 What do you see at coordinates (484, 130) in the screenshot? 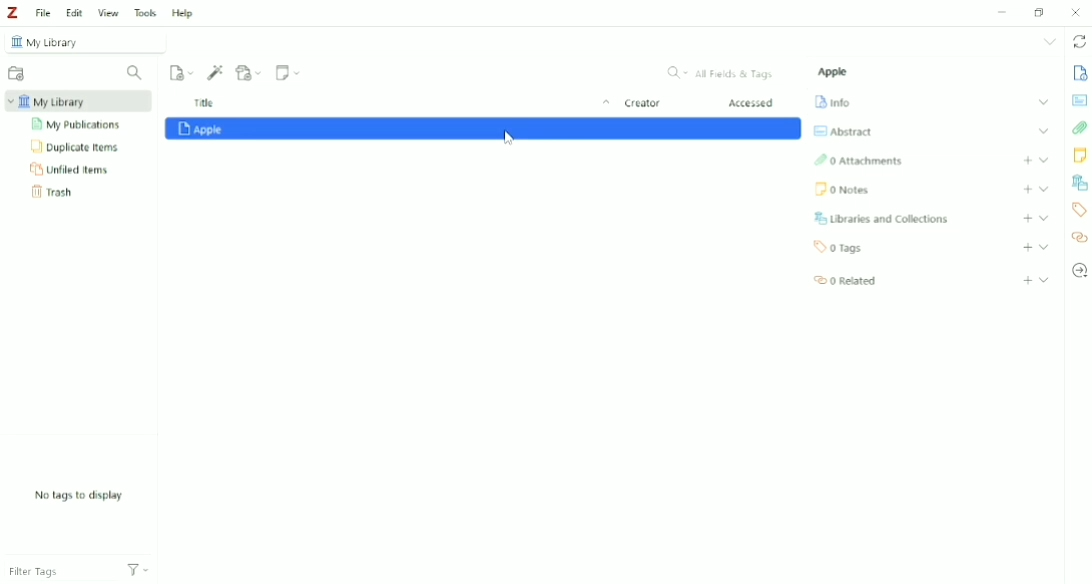
I see `Apple` at bounding box center [484, 130].